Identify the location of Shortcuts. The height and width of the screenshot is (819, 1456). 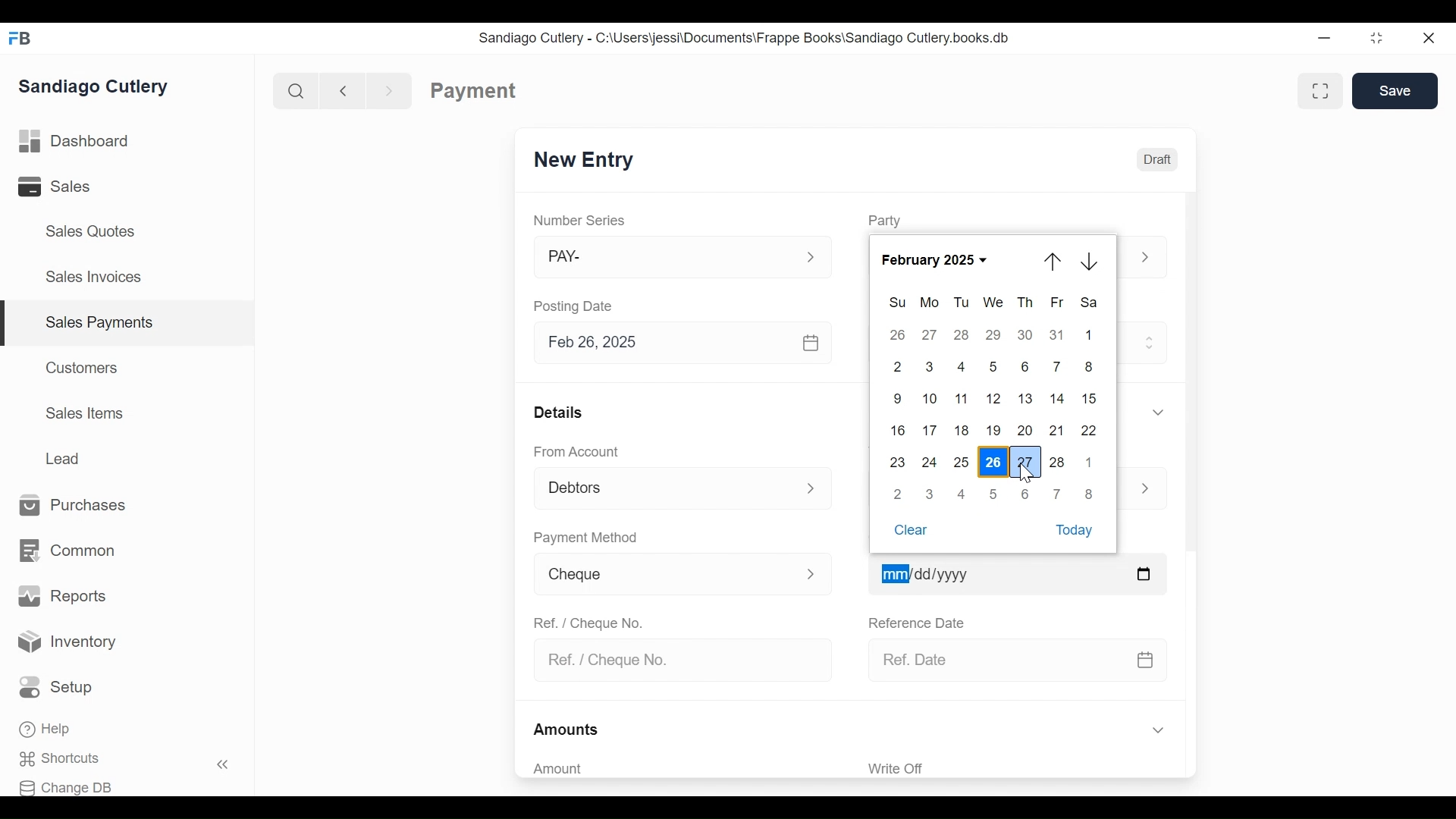
(69, 759).